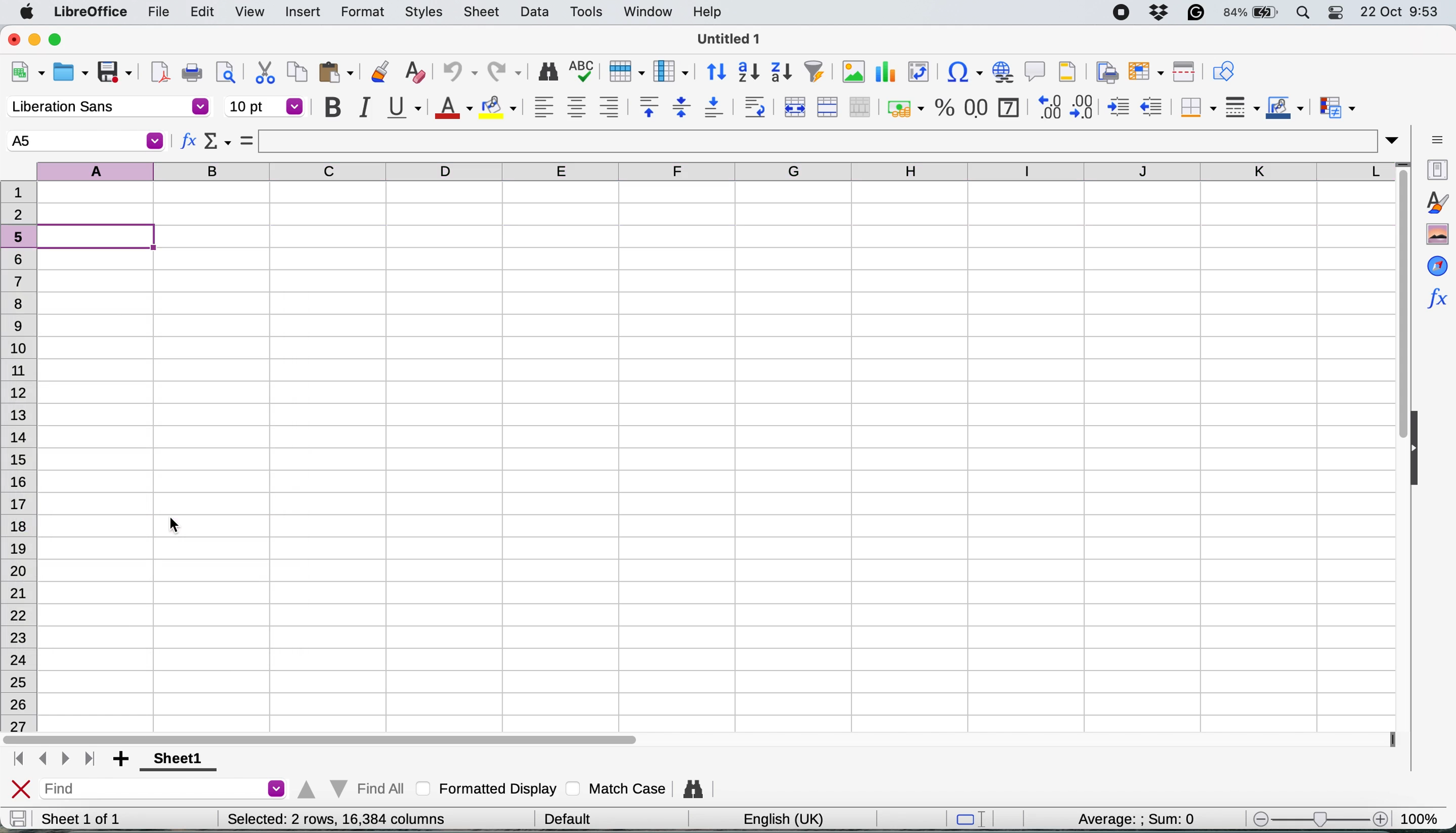 The image size is (1456, 833). Describe the element at coordinates (81, 819) in the screenshot. I see `sheet 1 of 1` at that location.